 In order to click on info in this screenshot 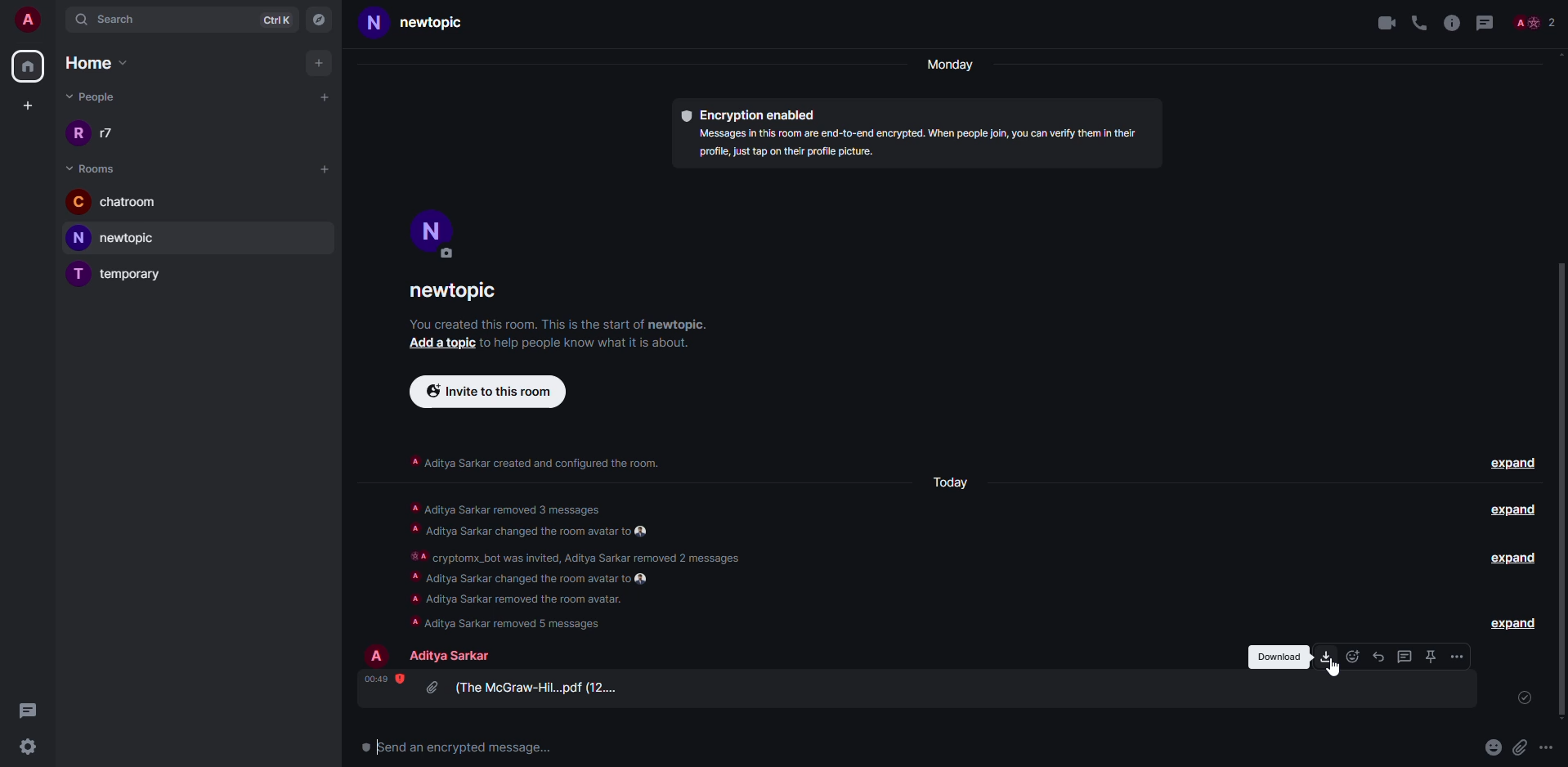, I will do `click(559, 321)`.